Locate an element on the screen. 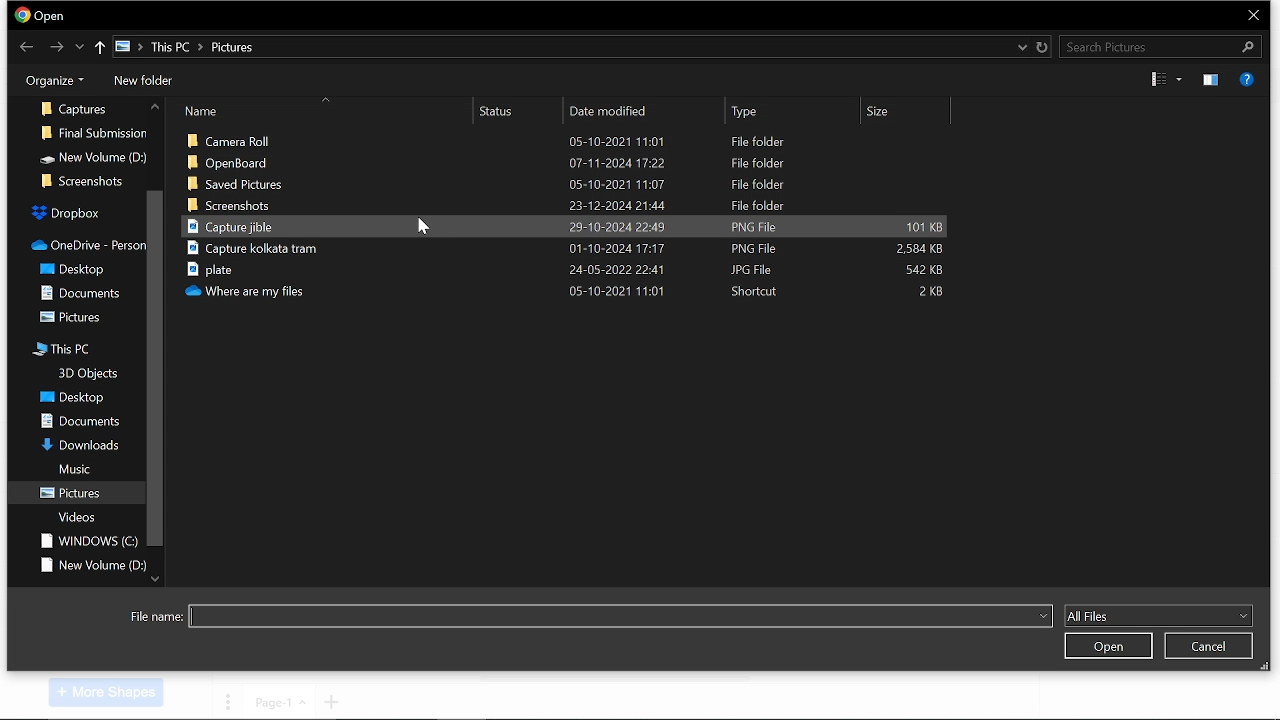 This screenshot has height=720, width=1280. files is located at coordinates (566, 251).